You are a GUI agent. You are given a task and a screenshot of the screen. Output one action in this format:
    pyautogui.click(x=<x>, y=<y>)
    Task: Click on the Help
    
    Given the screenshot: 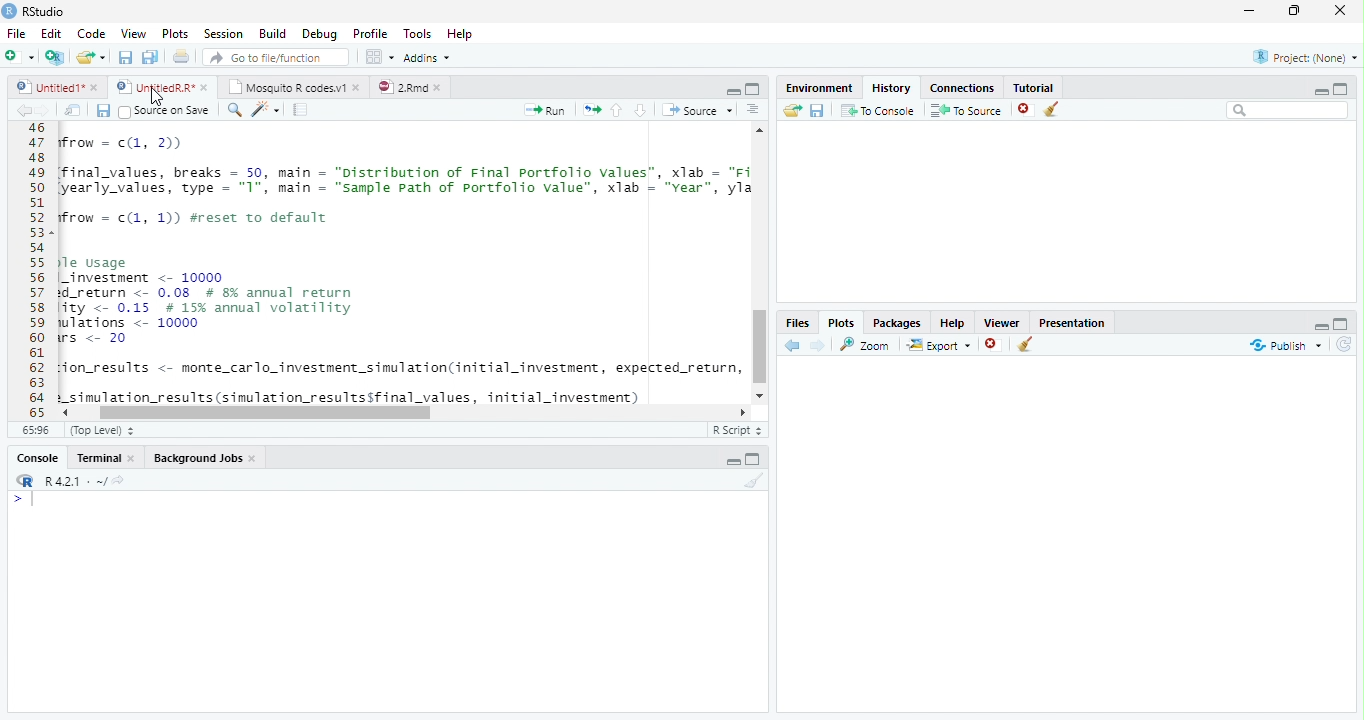 What is the action you would take?
    pyautogui.click(x=952, y=322)
    